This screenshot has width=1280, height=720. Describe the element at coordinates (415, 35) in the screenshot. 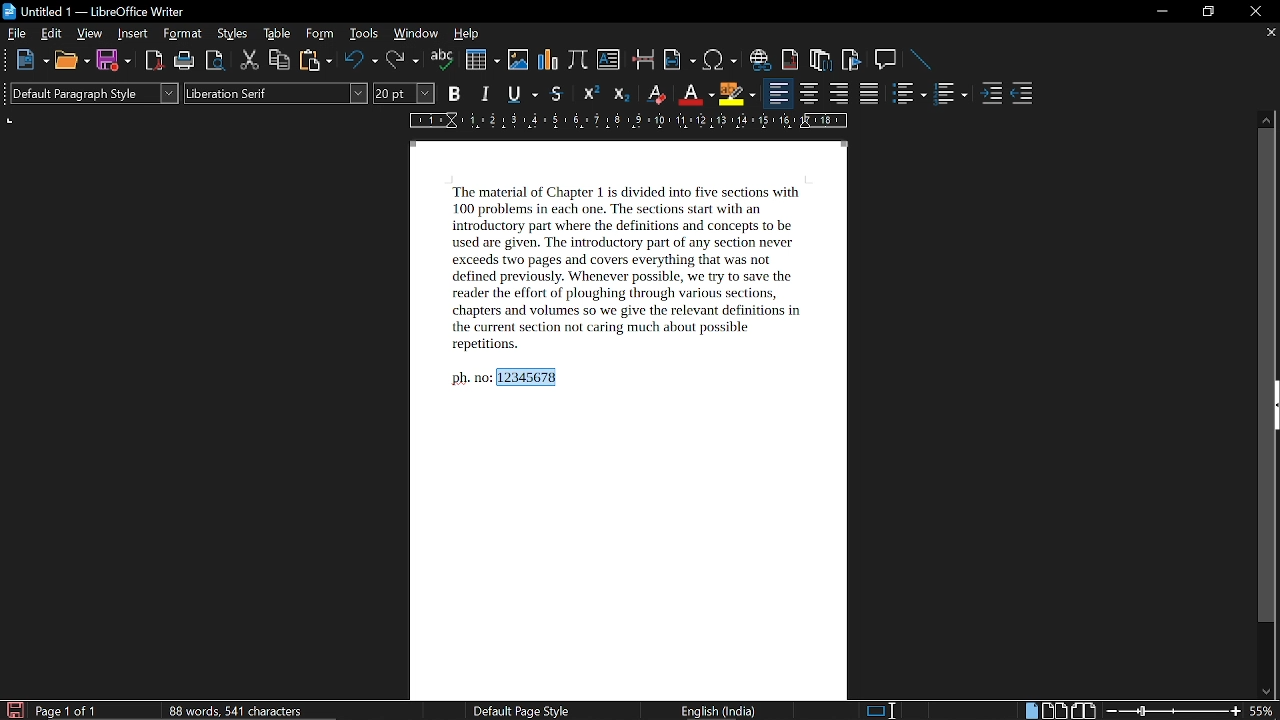

I see `window` at that location.